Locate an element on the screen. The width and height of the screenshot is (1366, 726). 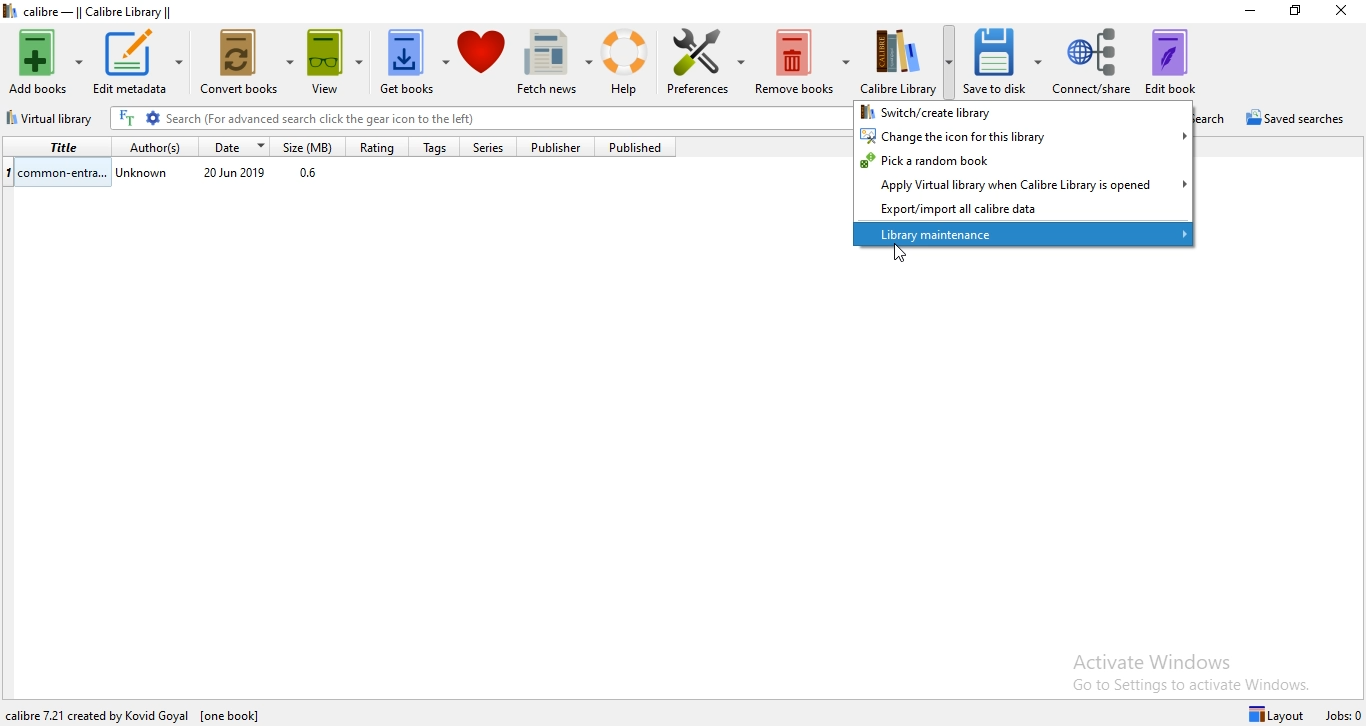
Date is located at coordinates (236, 146).